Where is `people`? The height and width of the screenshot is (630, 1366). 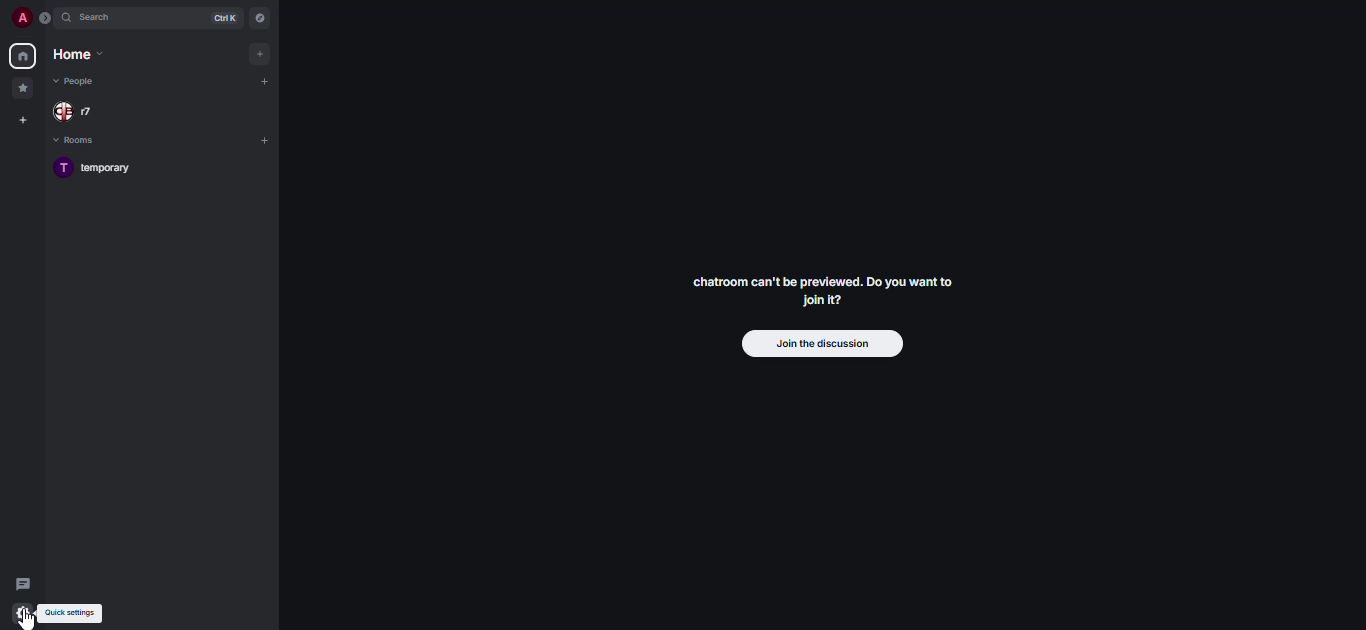
people is located at coordinates (80, 112).